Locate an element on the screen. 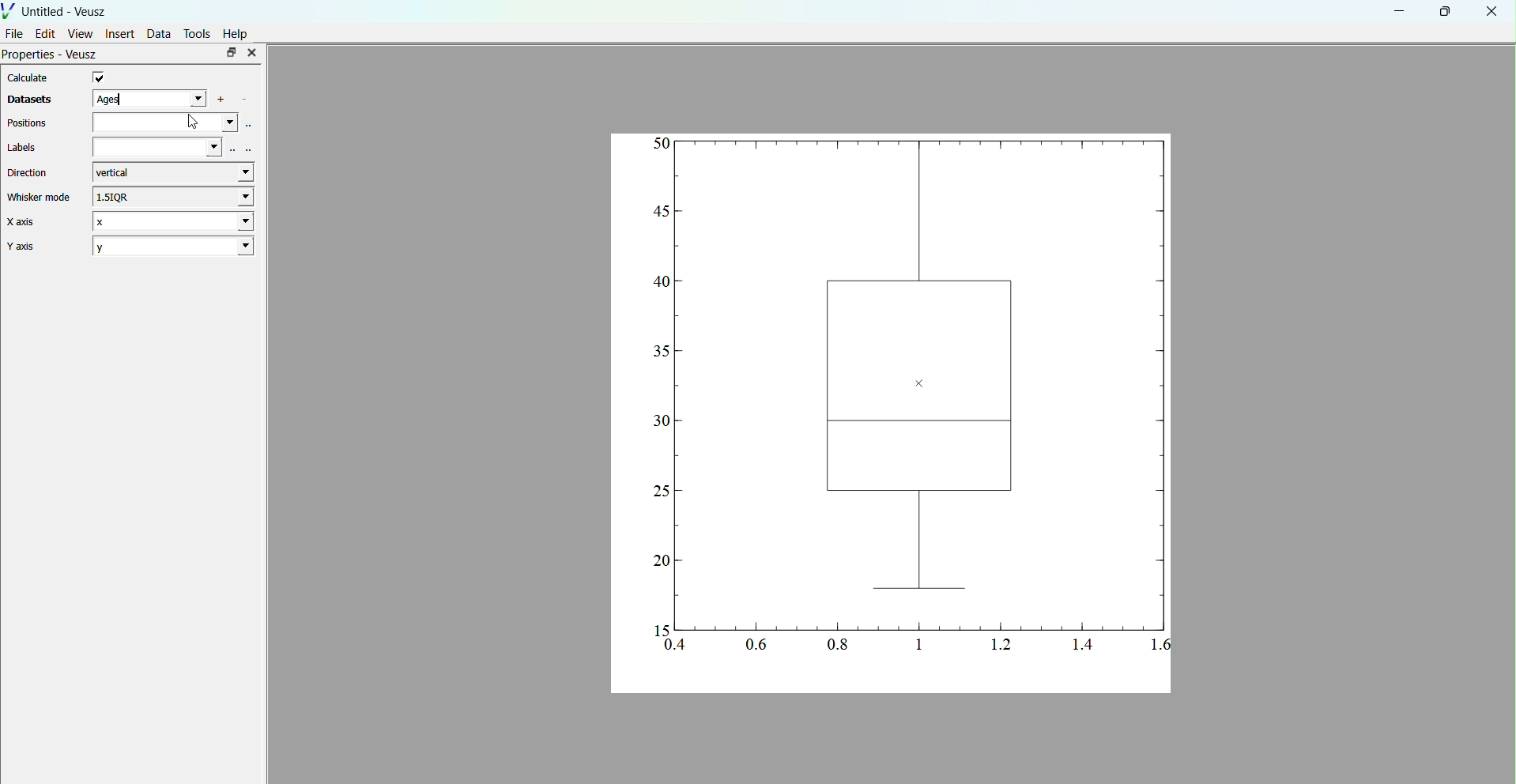 The height and width of the screenshot is (784, 1516). Help is located at coordinates (236, 34).